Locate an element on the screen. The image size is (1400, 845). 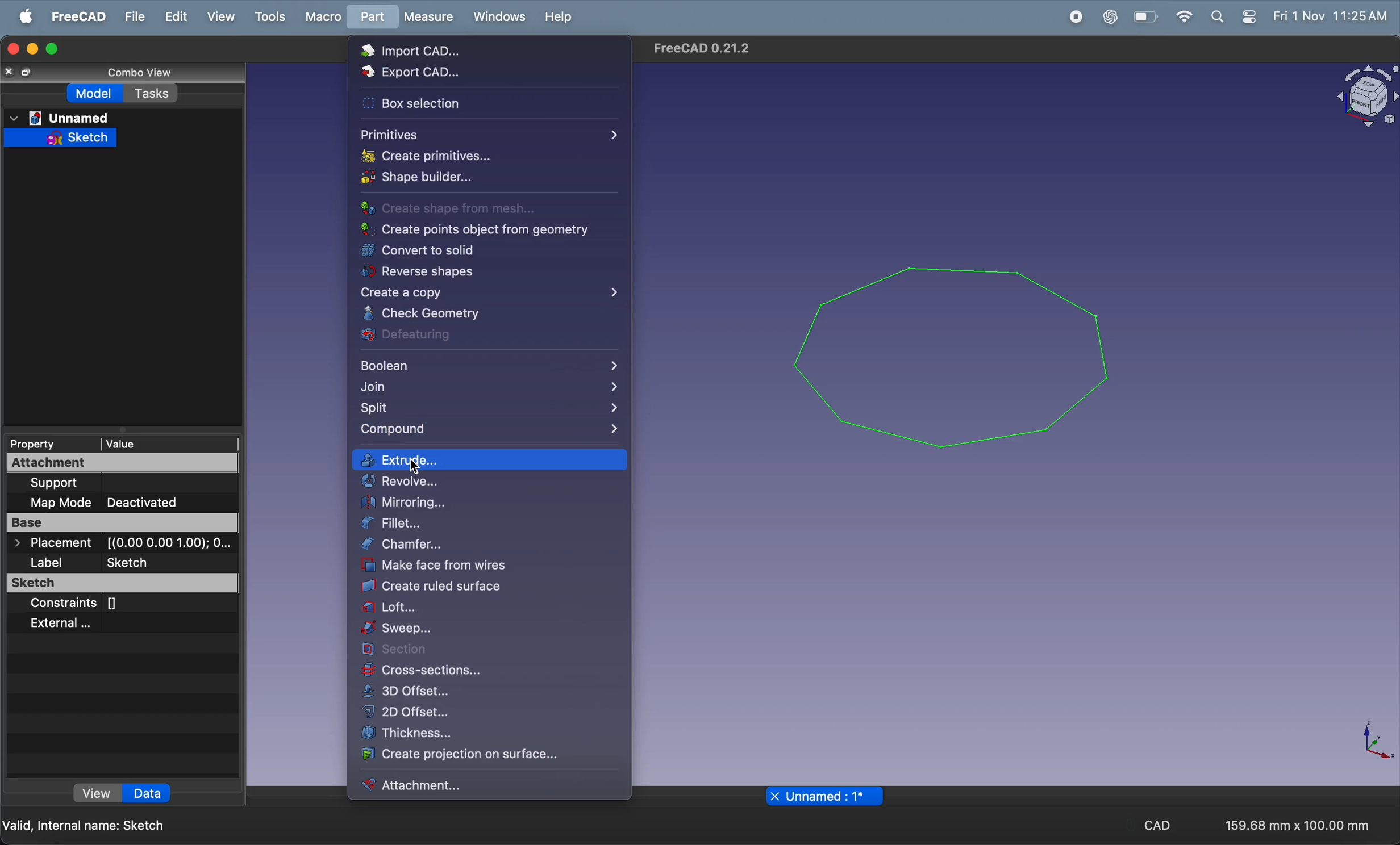
shape bulider is located at coordinates (443, 175).